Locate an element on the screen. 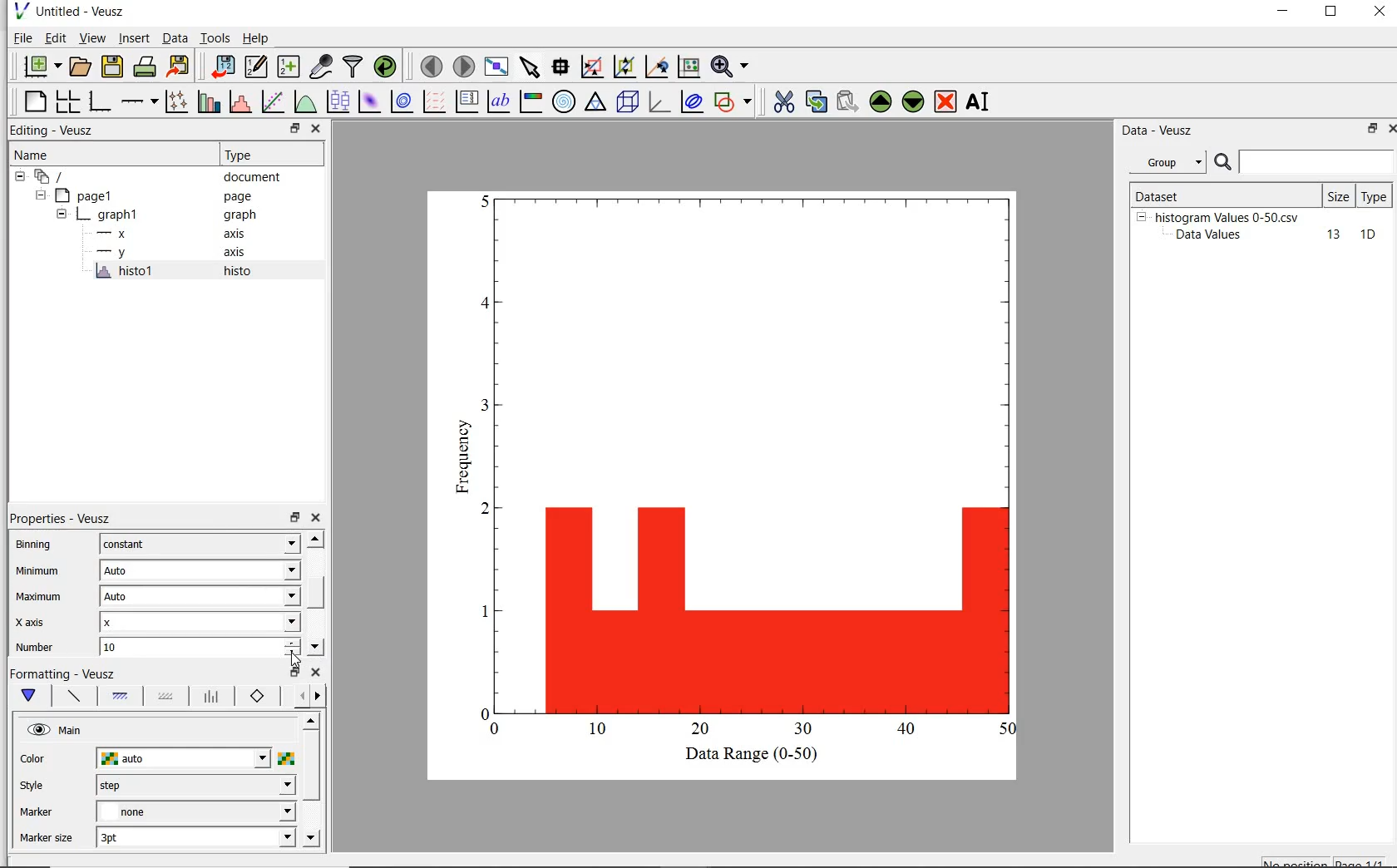 This screenshot has width=1397, height=868. restore down is located at coordinates (1331, 13).